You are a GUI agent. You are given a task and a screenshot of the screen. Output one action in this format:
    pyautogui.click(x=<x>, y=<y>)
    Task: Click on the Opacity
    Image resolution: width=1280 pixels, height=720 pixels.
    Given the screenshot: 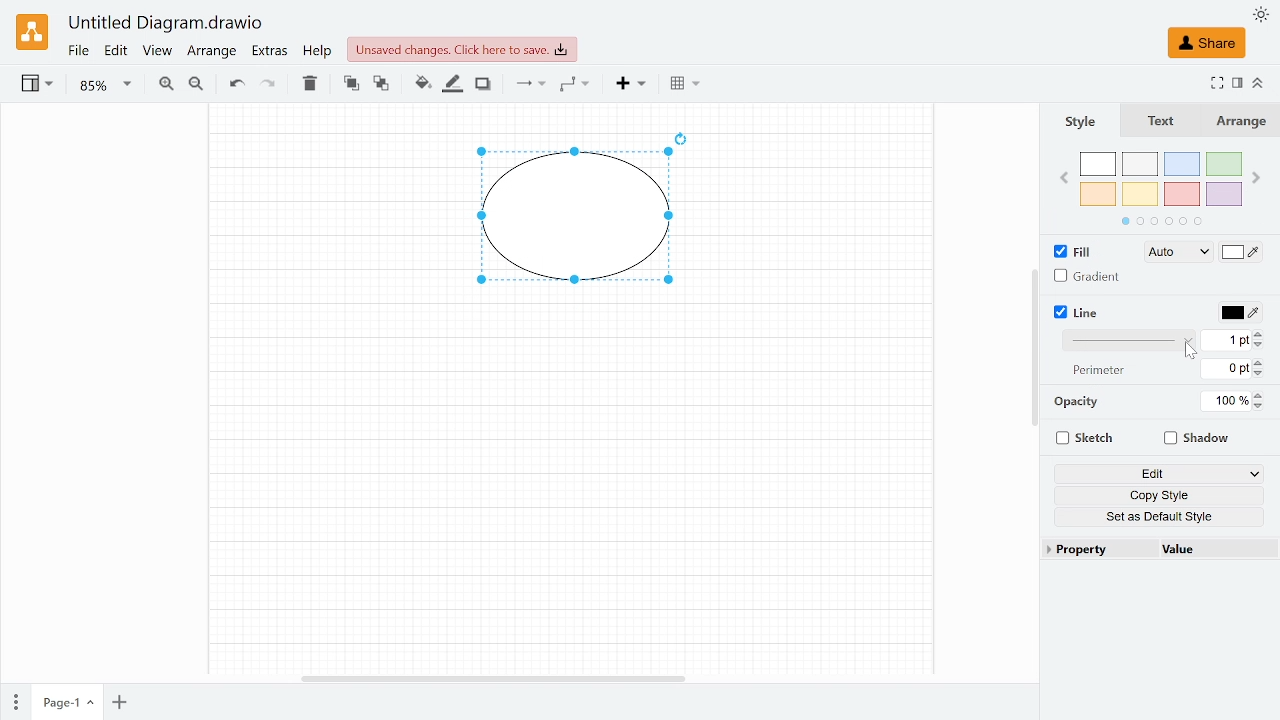 What is the action you would take?
    pyautogui.click(x=1075, y=403)
    